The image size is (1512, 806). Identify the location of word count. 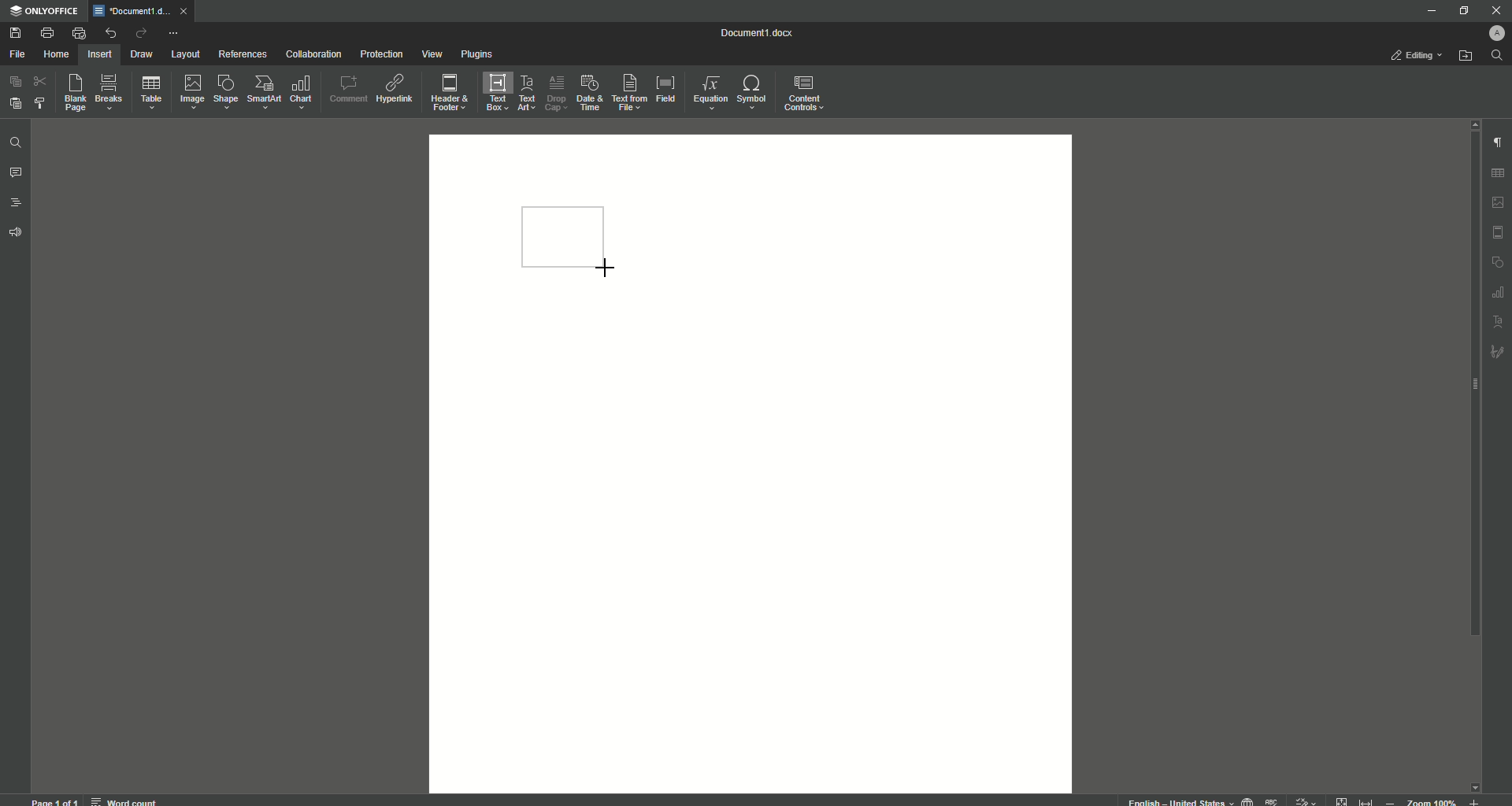
(123, 799).